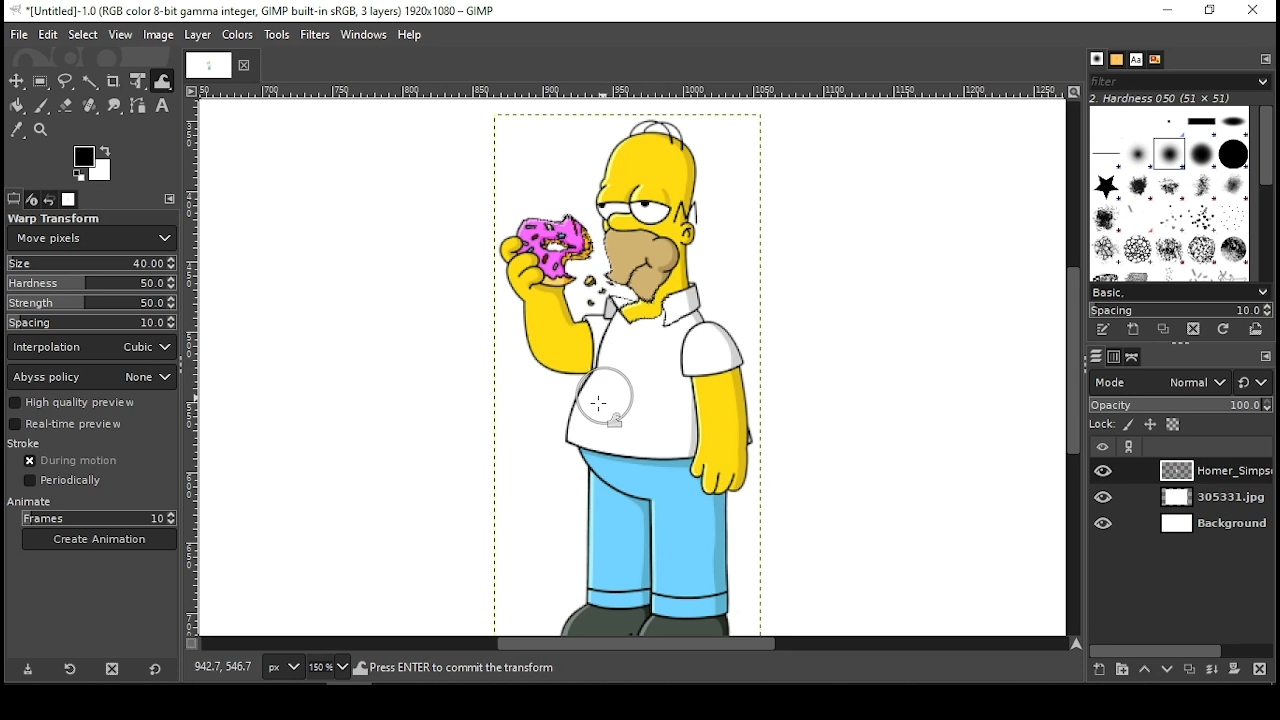  I want to click on lock position and size, so click(1150, 424).